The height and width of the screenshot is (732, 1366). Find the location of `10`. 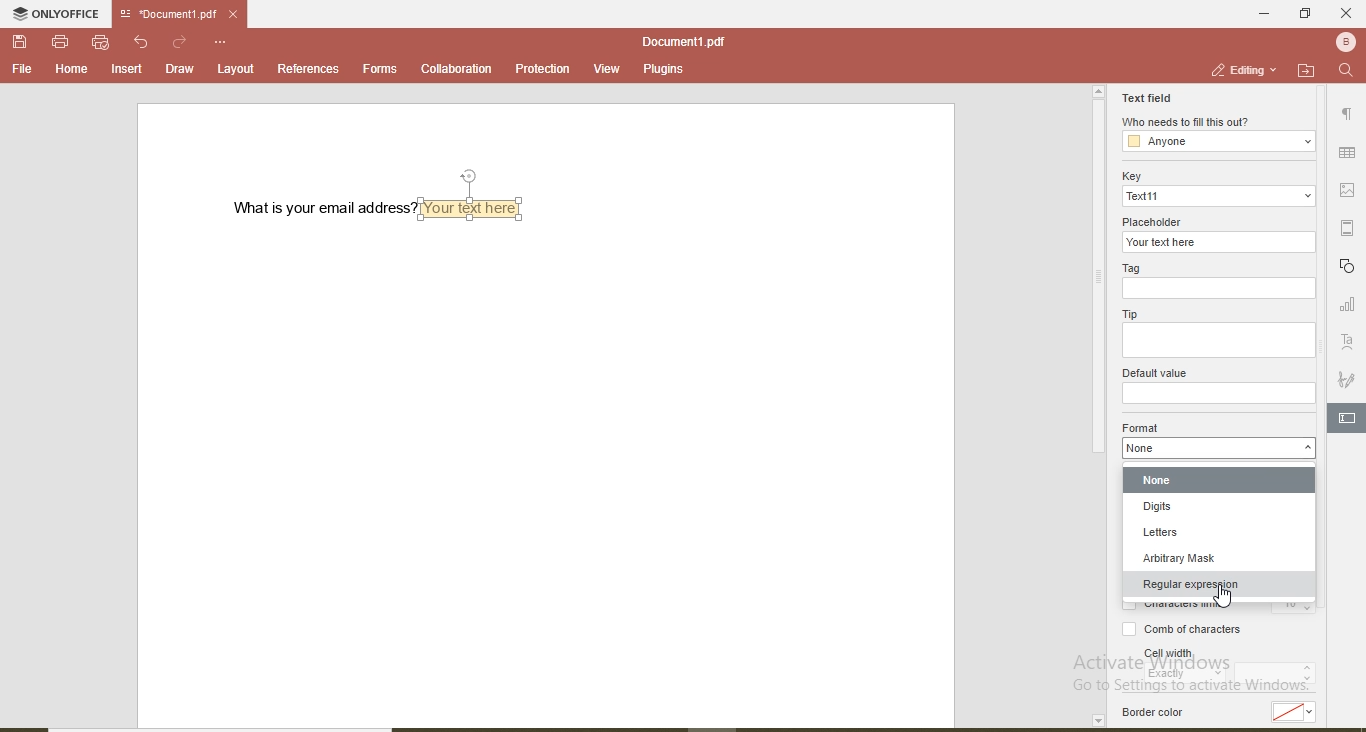

10 is located at coordinates (1295, 609).